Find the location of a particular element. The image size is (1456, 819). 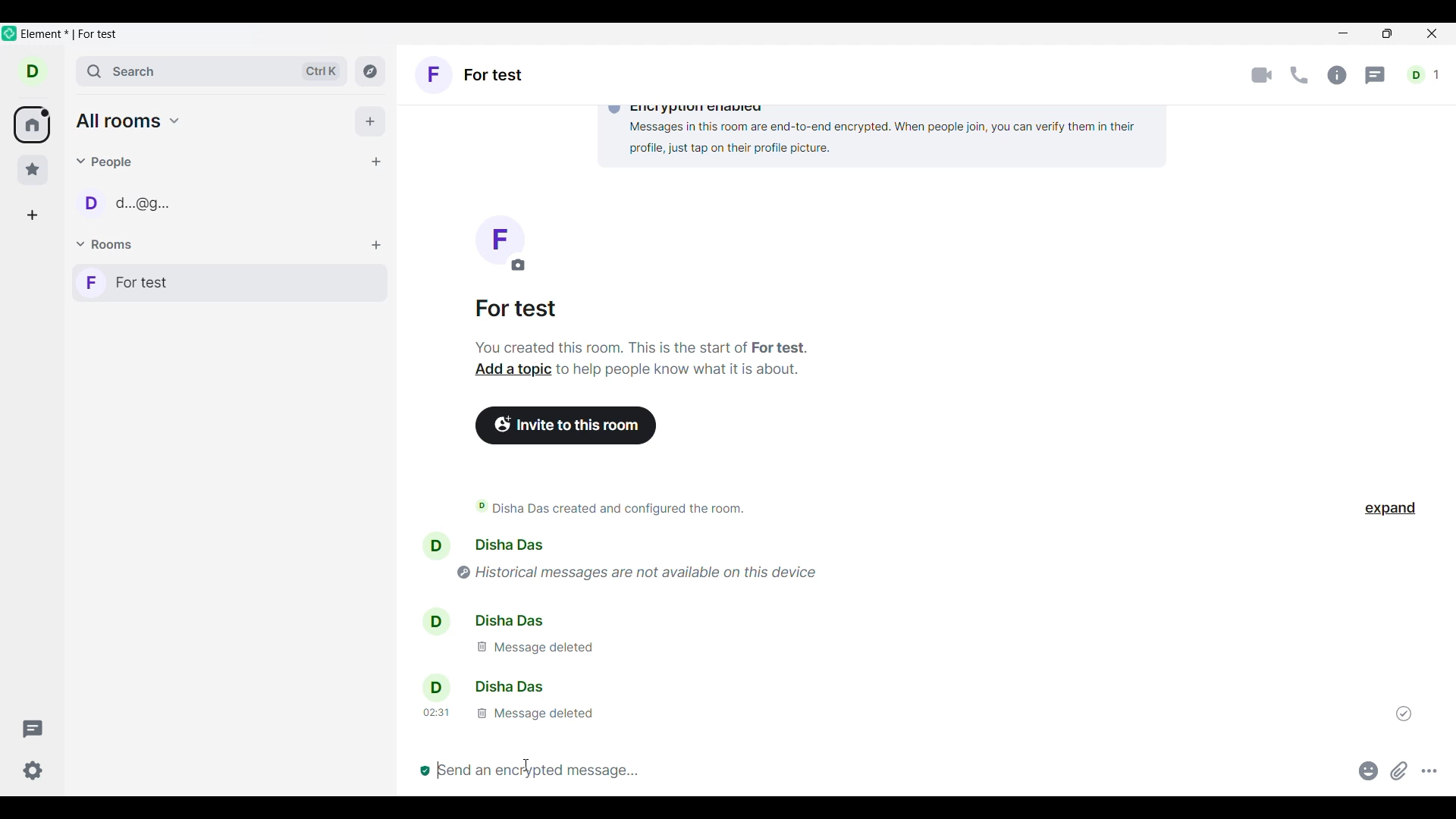

Minimize is located at coordinates (1344, 33).